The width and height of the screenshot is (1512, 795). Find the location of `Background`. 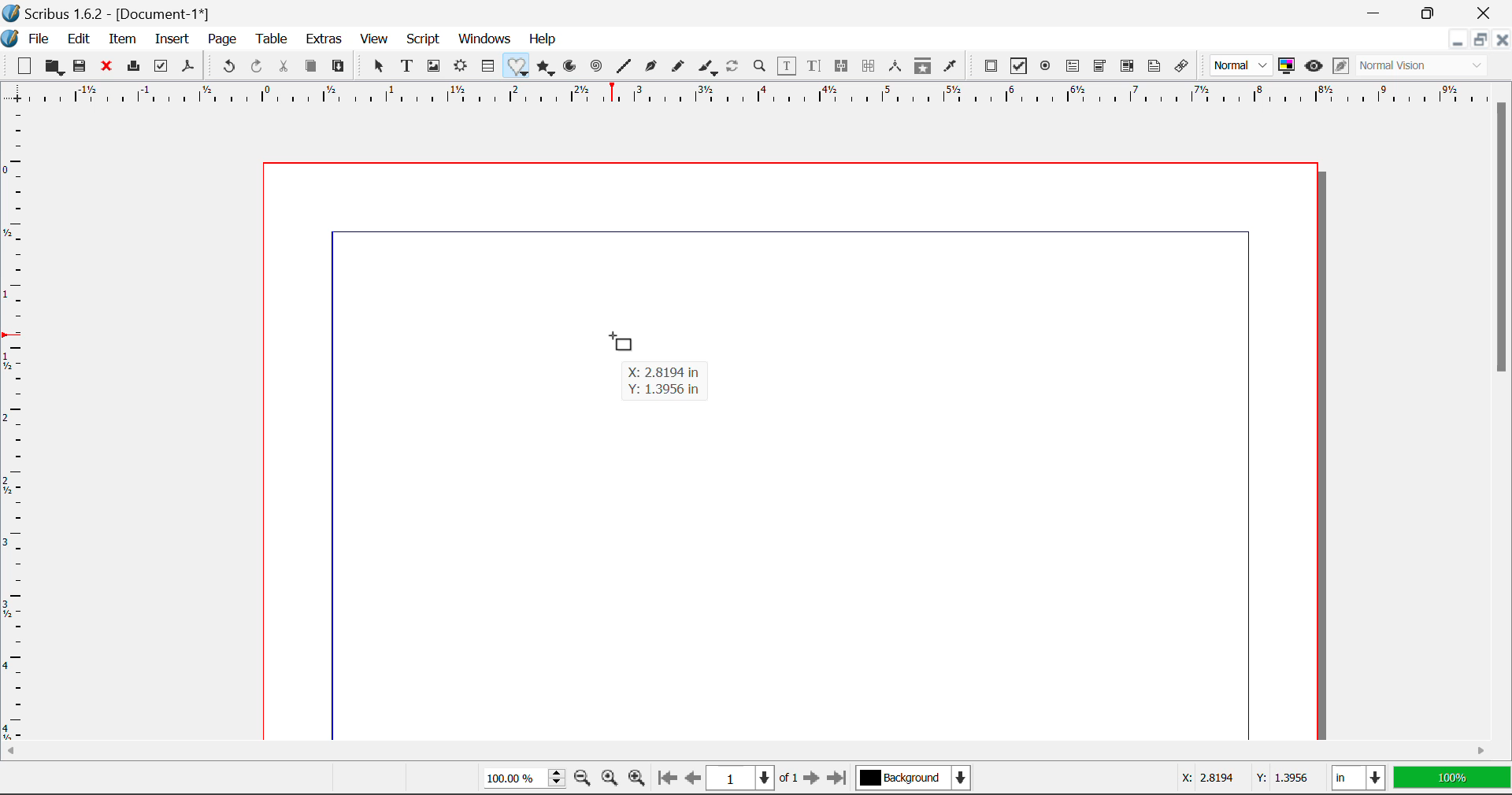

Background is located at coordinates (916, 779).